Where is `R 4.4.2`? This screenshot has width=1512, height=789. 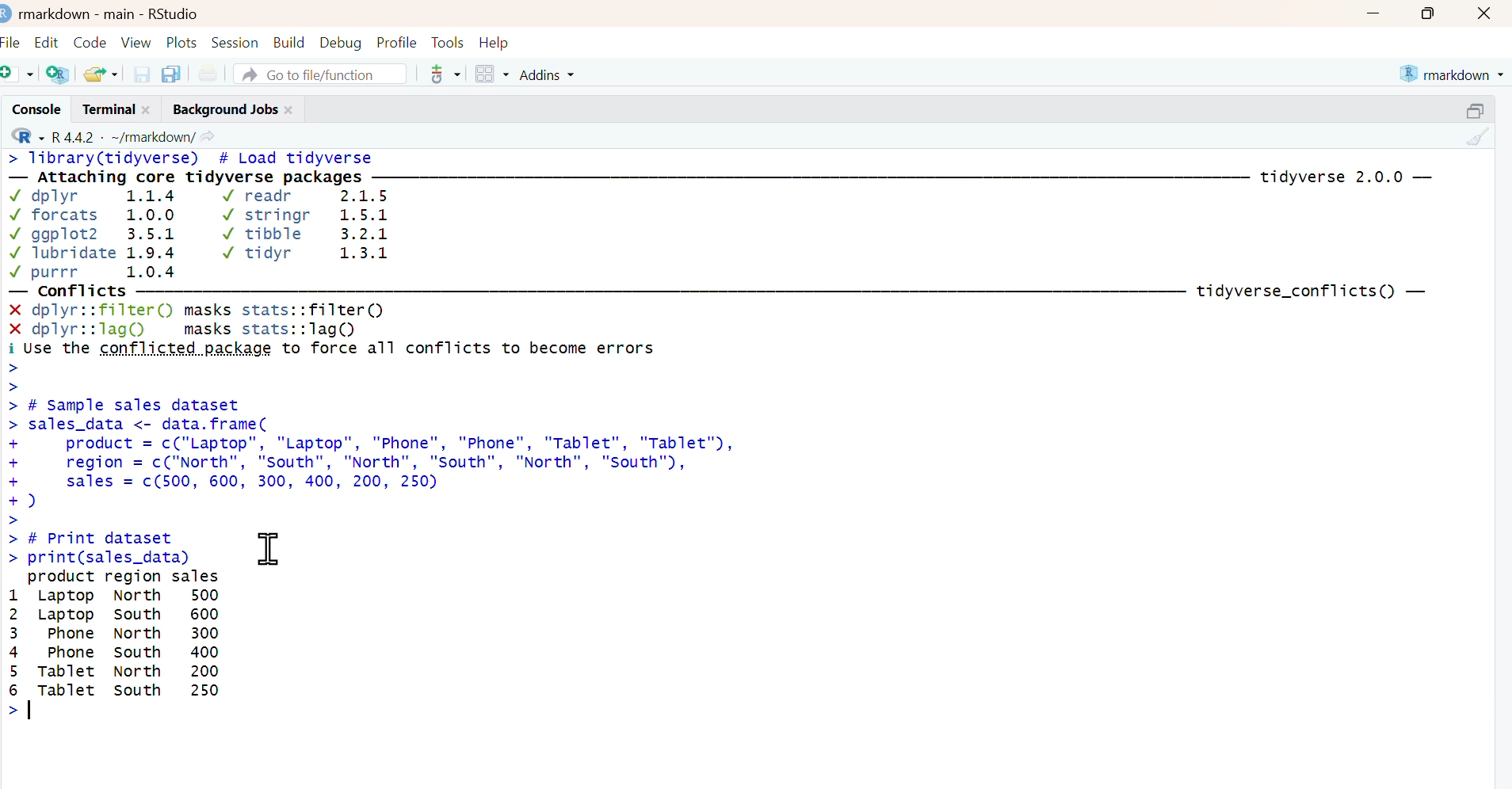
R 4.4.2 is located at coordinates (74, 135).